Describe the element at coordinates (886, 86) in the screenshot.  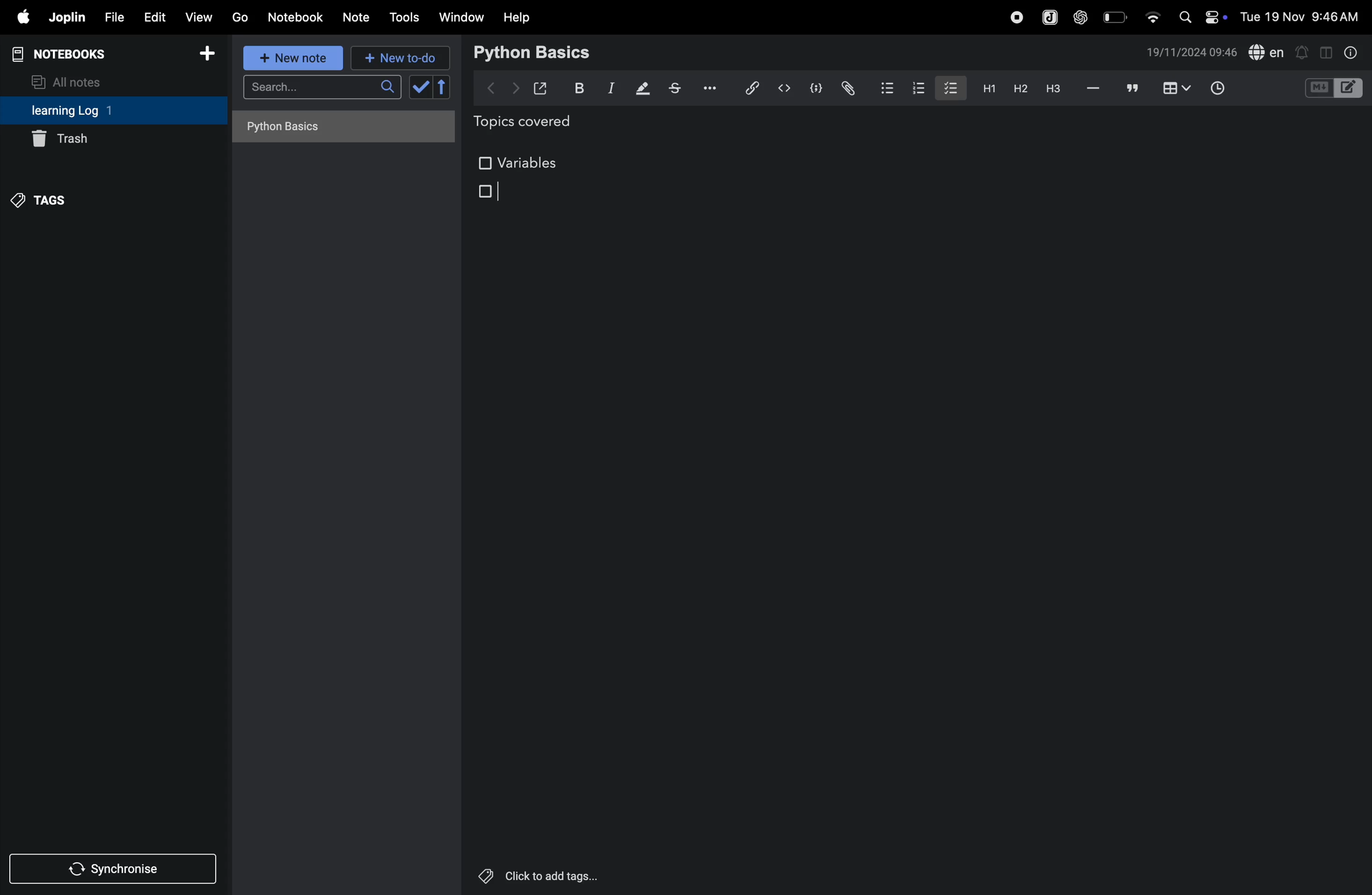
I see `bullet list` at that location.